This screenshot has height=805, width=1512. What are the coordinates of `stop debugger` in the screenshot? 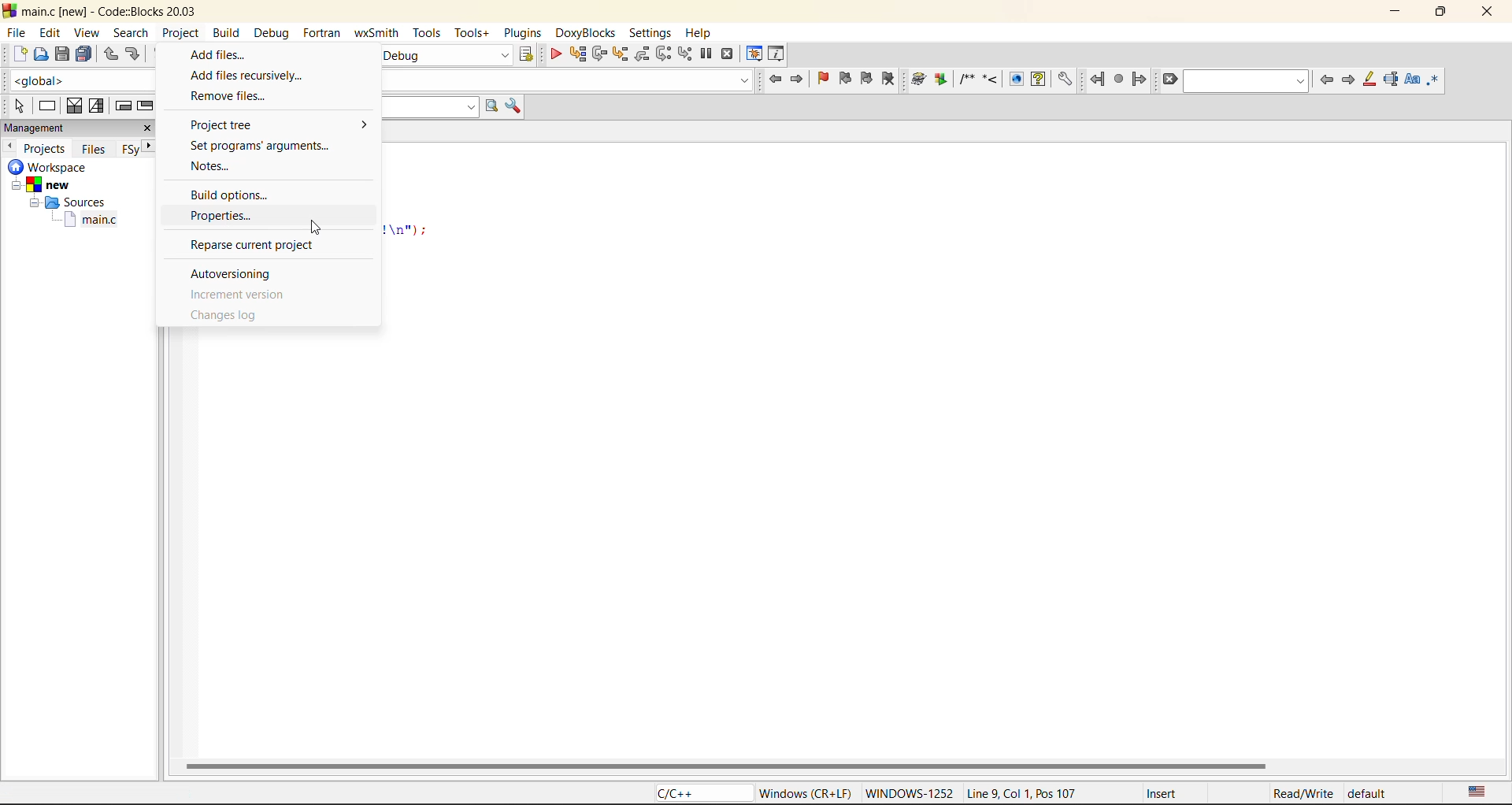 It's located at (728, 54).